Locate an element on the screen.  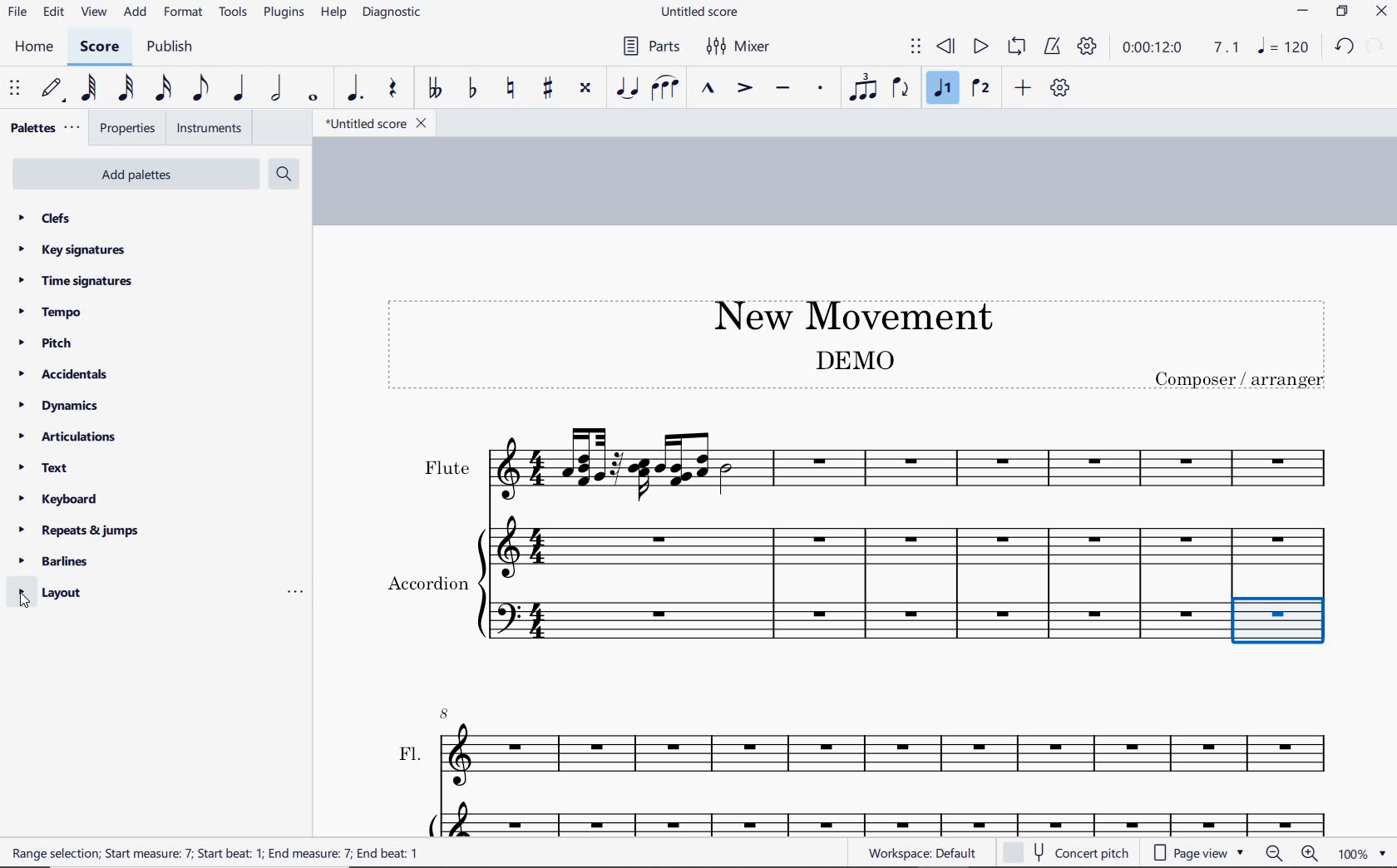
Mixer is located at coordinates (739, 47).